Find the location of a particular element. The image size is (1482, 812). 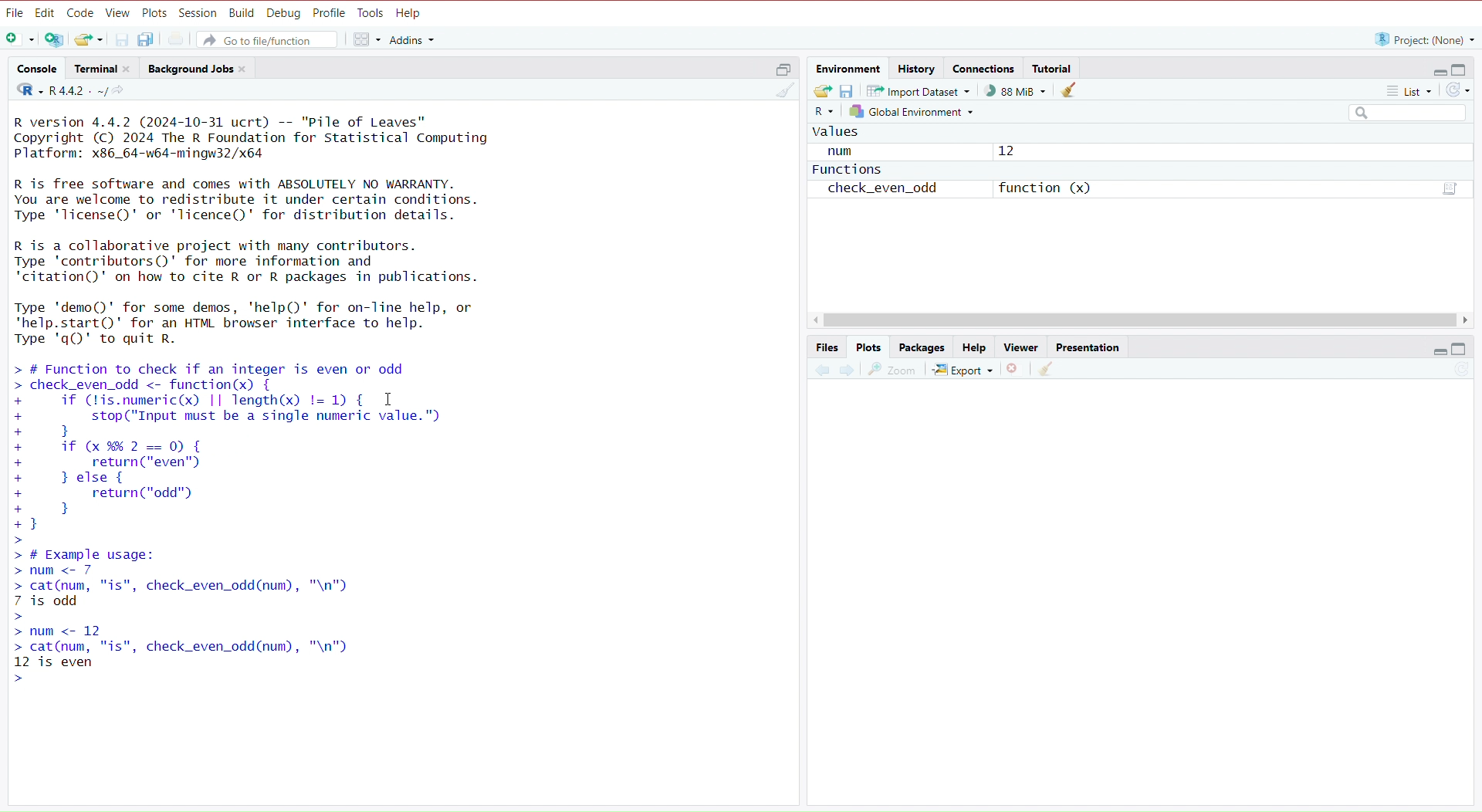

check_even_odd is located at coordinates (888, 191).